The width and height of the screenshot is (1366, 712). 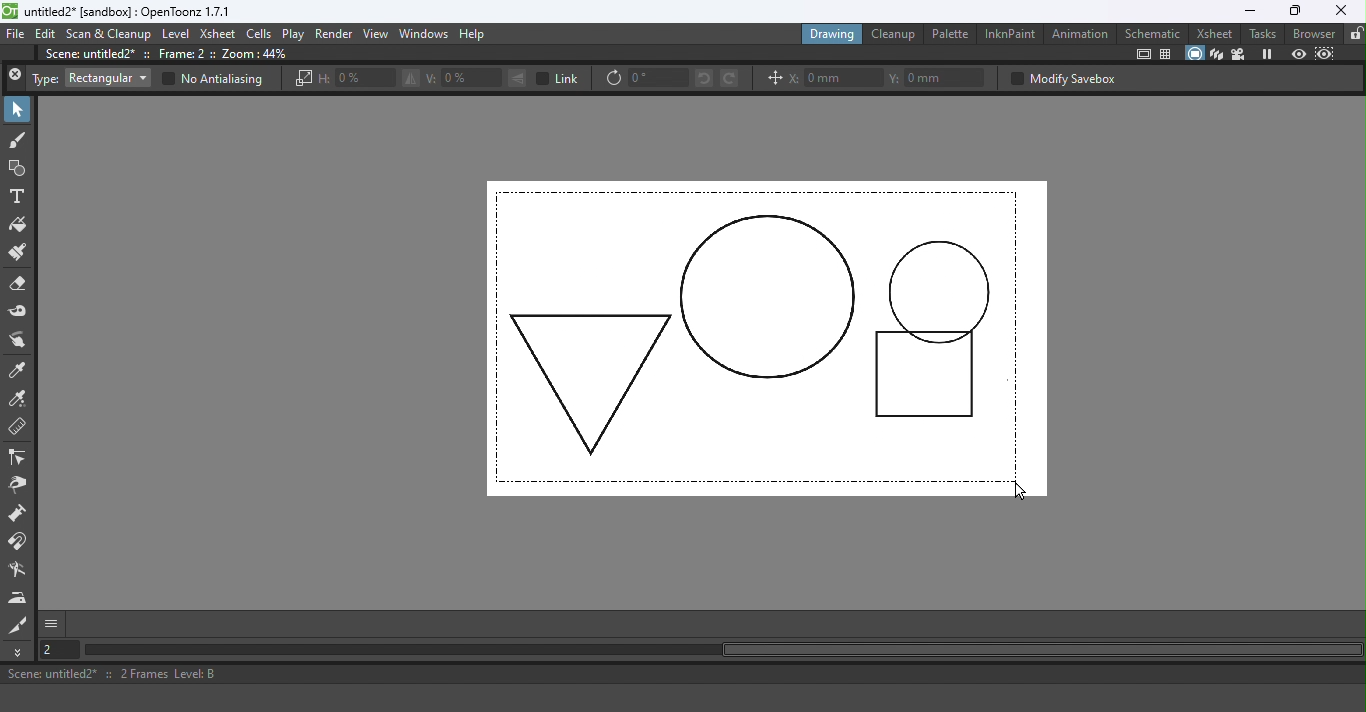 I want to click on Level, so click(x=175, y=35).